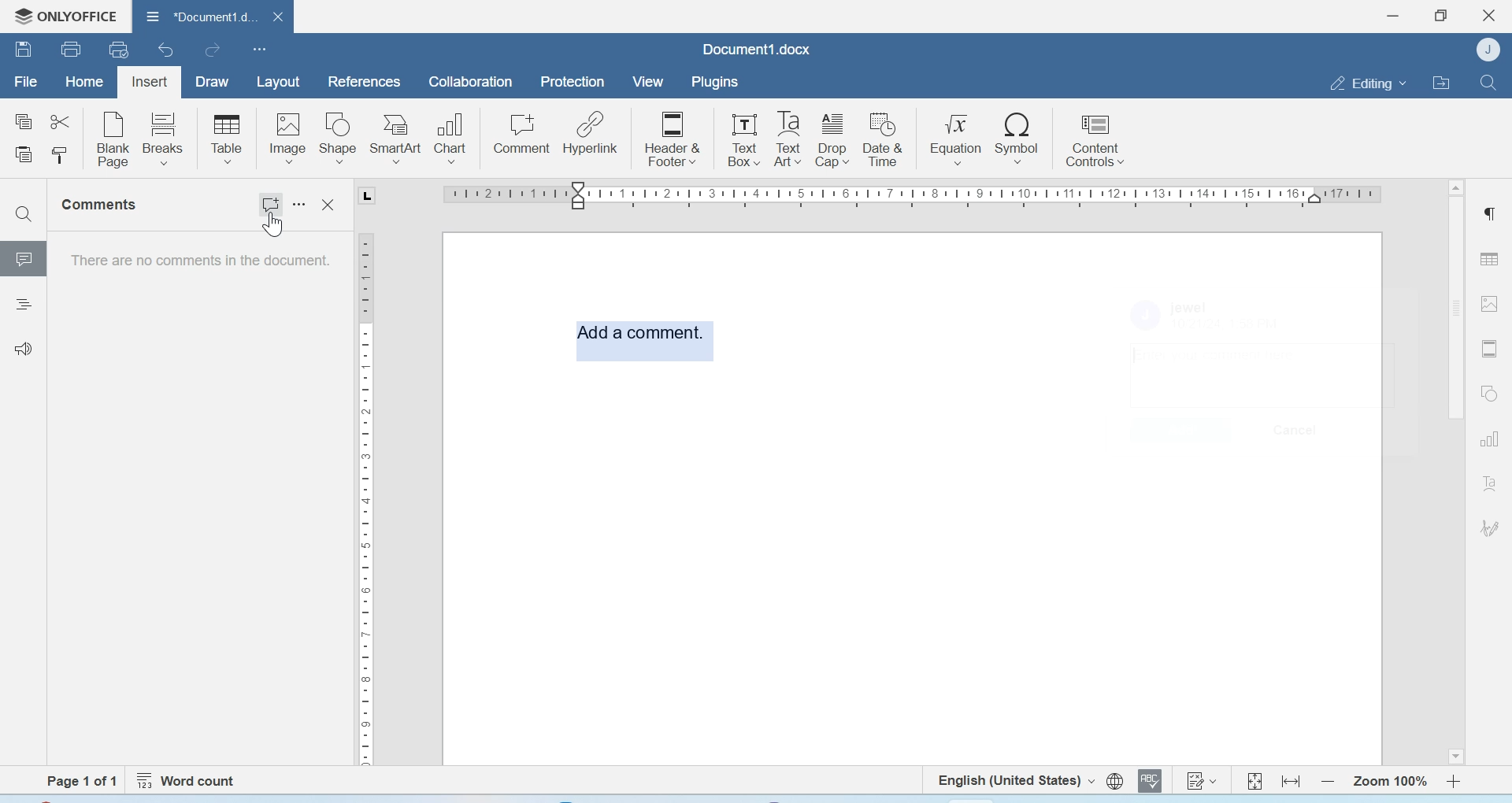  I want to click on Zoom in, so click(1455, 781).